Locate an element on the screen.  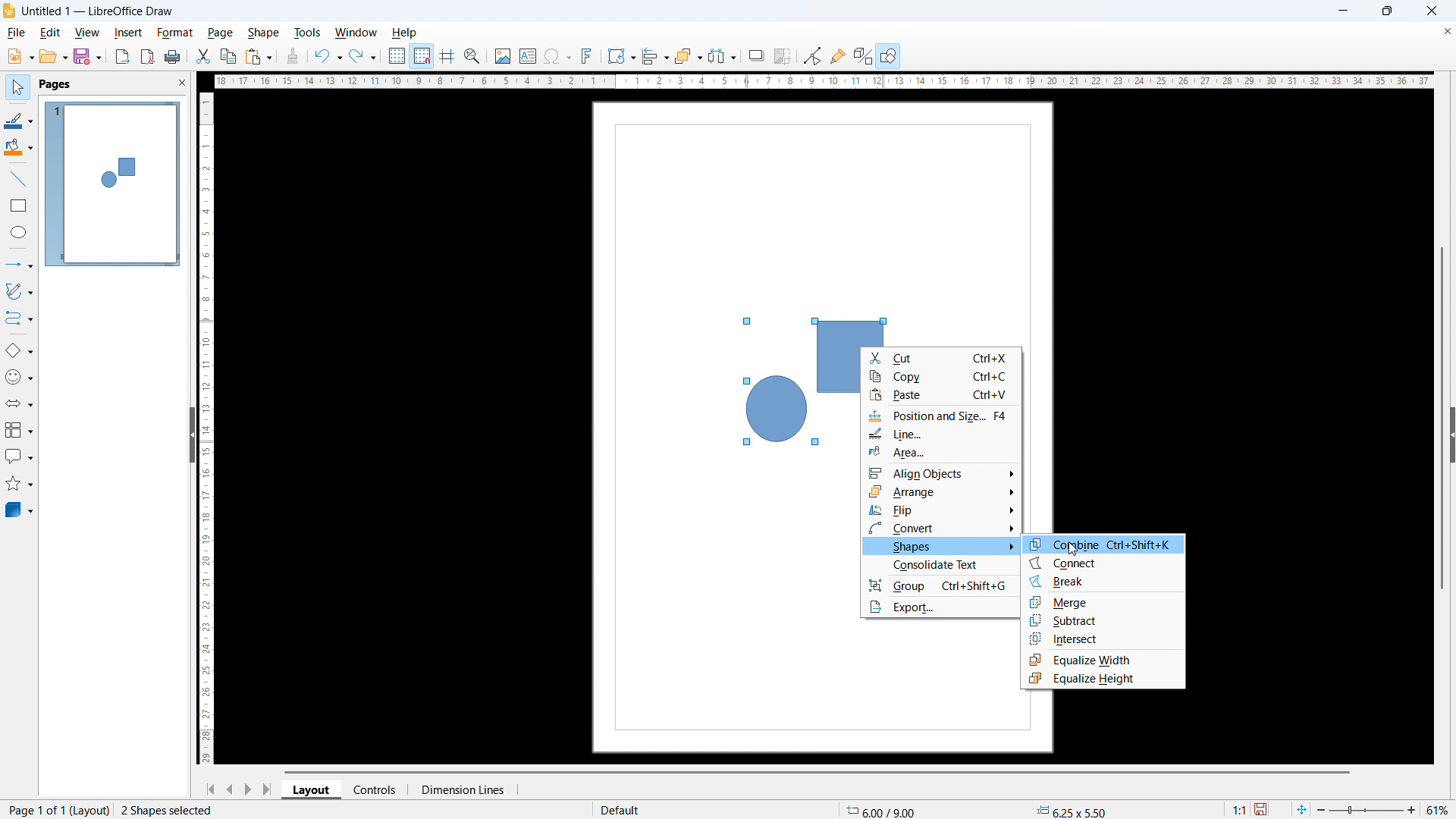
combine is located at coordinates (1105, 543).